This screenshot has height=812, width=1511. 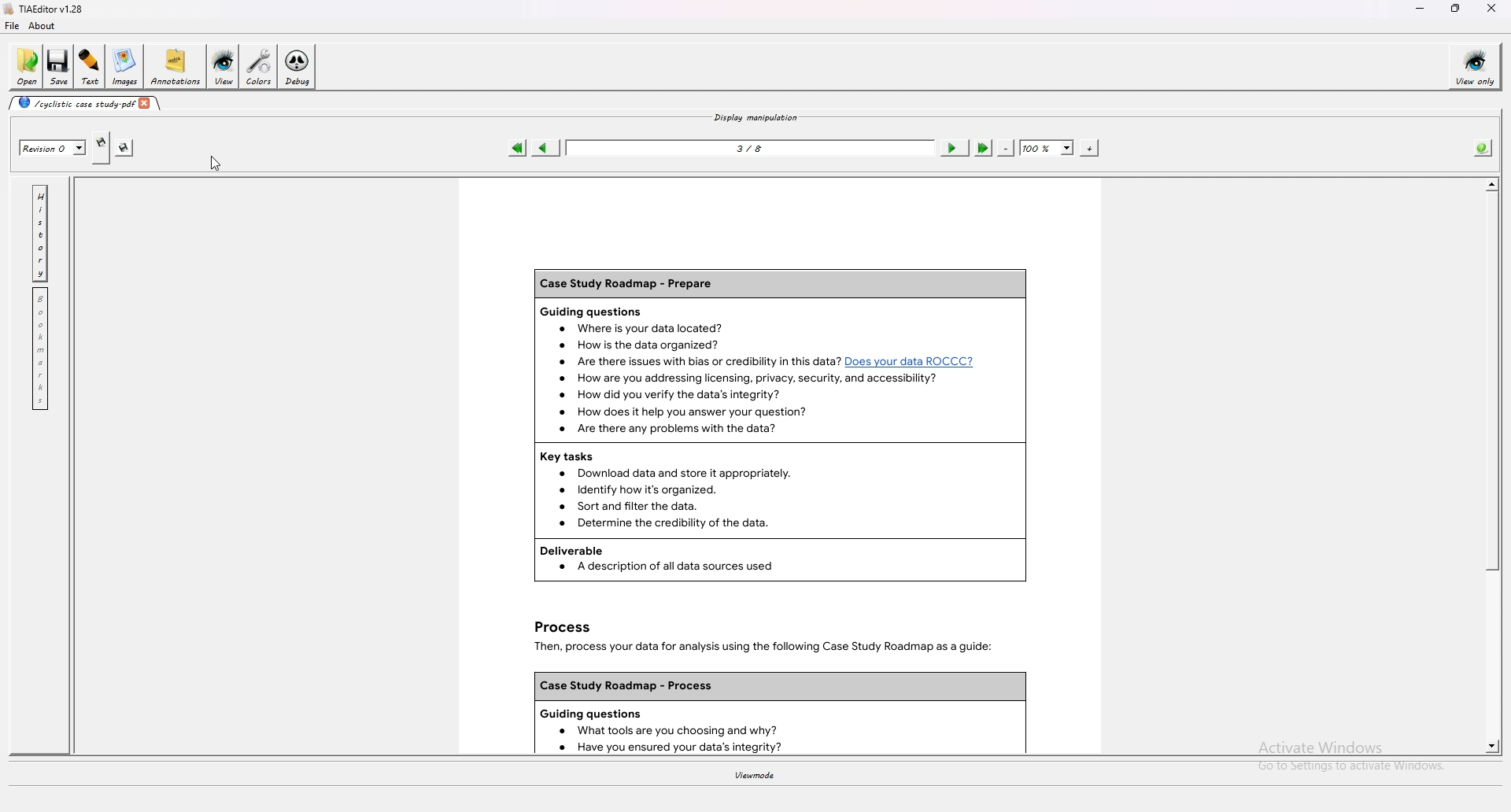 What do you see at coordinates (148, 102) in the screenshot?
I see `close` at bounding box center [148, 102].